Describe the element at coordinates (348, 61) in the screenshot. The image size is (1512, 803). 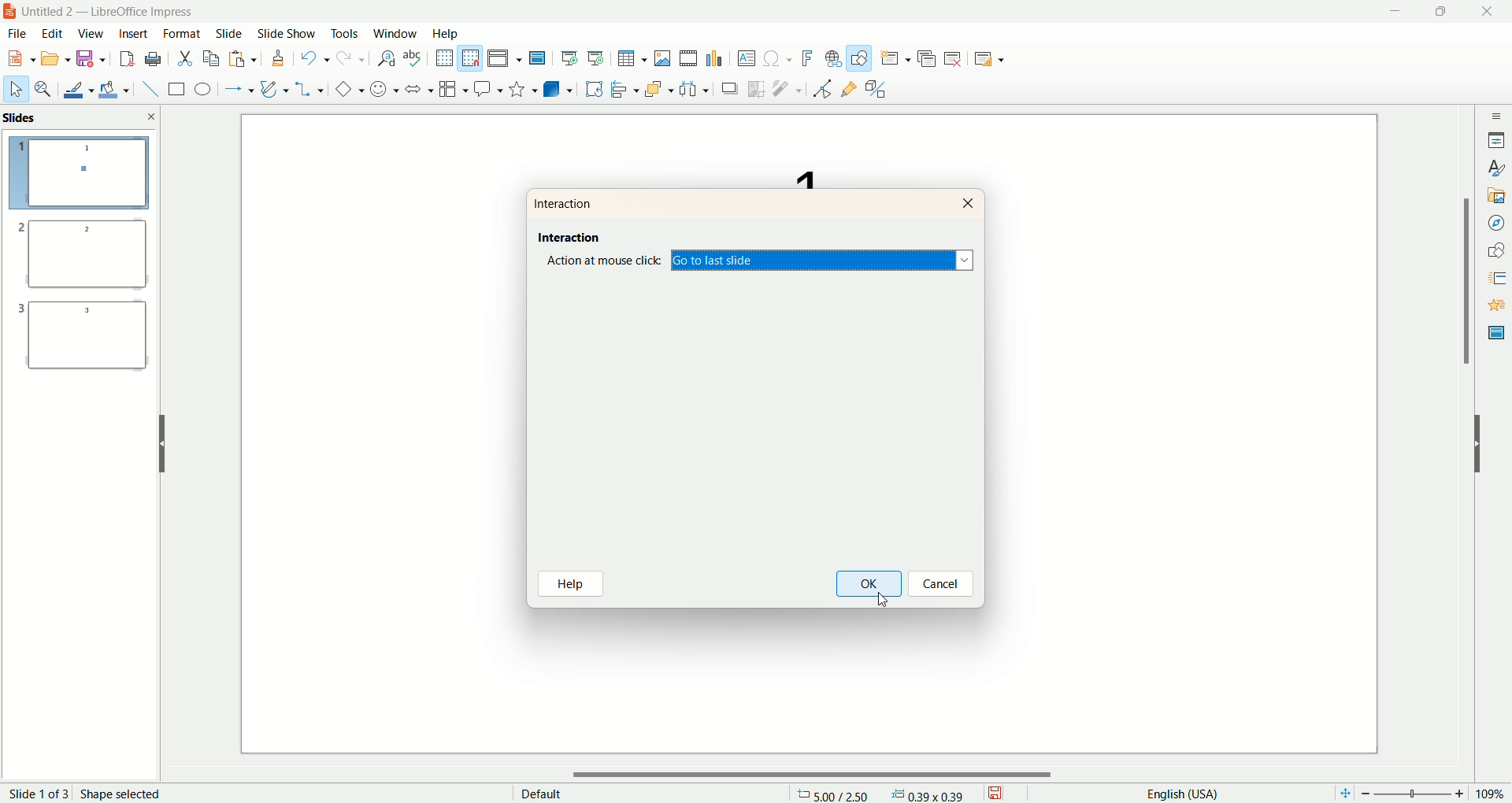
I see `redo` at that location.